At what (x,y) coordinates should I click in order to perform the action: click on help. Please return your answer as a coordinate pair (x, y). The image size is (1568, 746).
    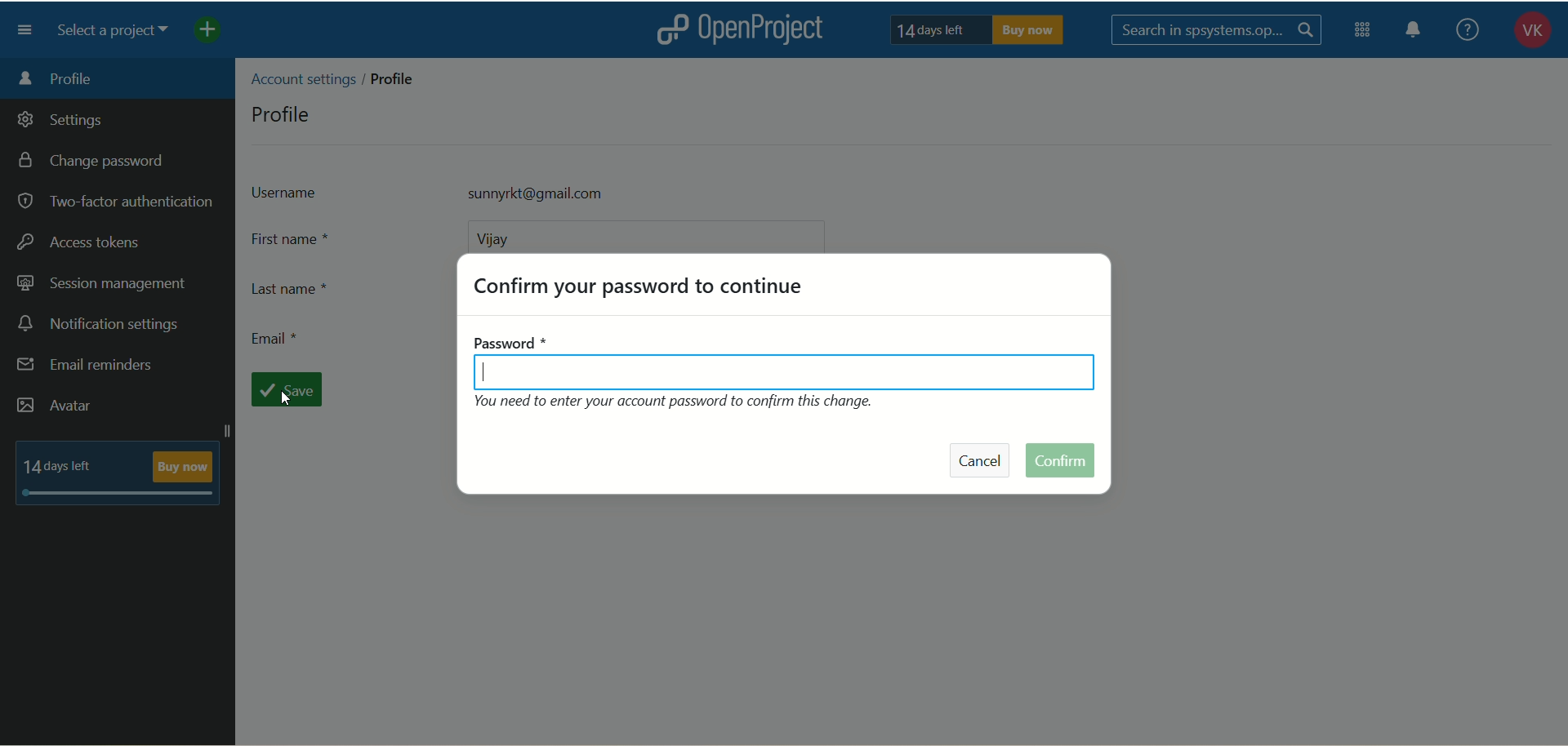
    Looking at the image, I should click on (1467, 29).